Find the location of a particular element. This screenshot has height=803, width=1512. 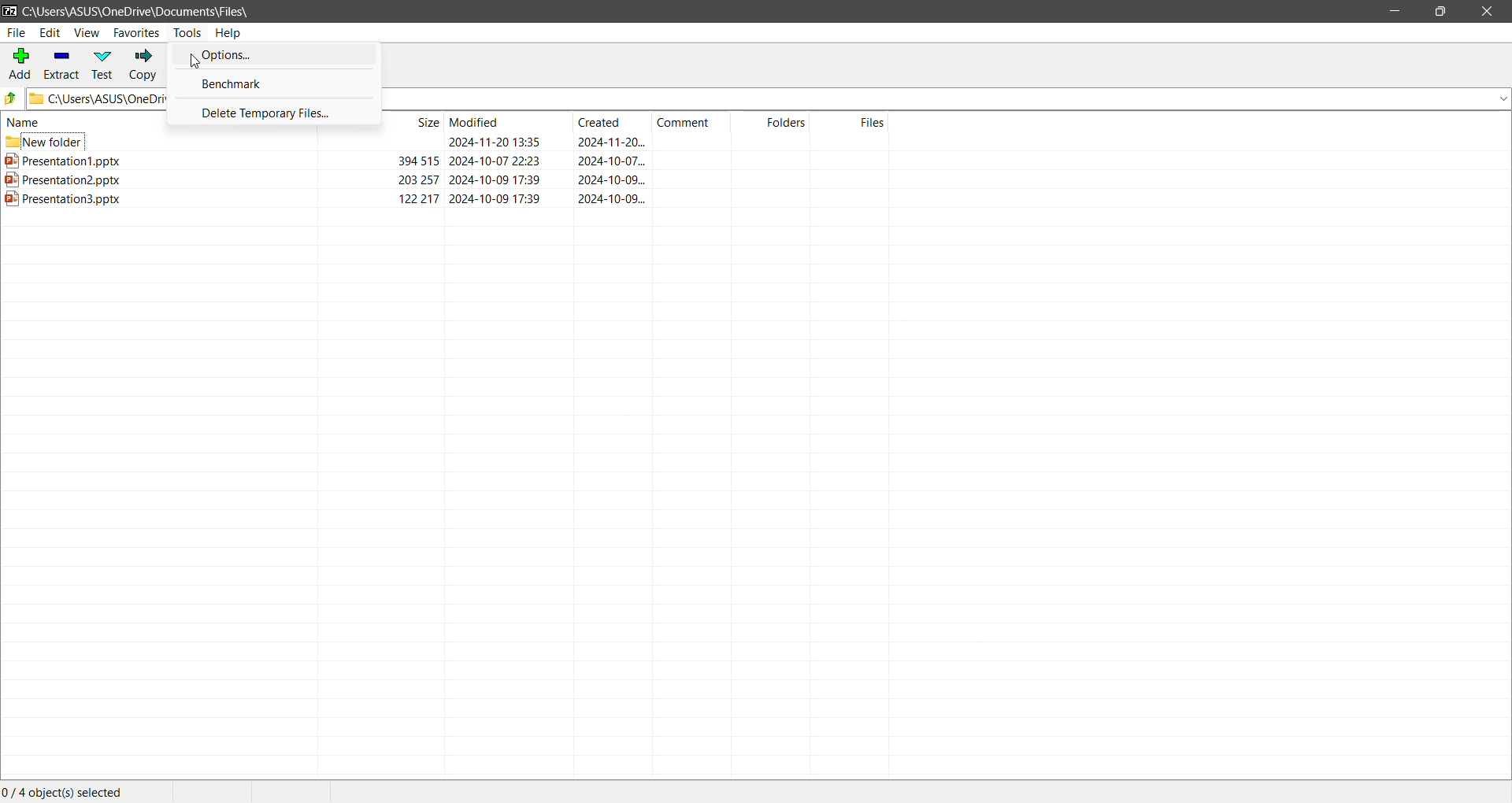

Copy is located at coordinates (146, 66).